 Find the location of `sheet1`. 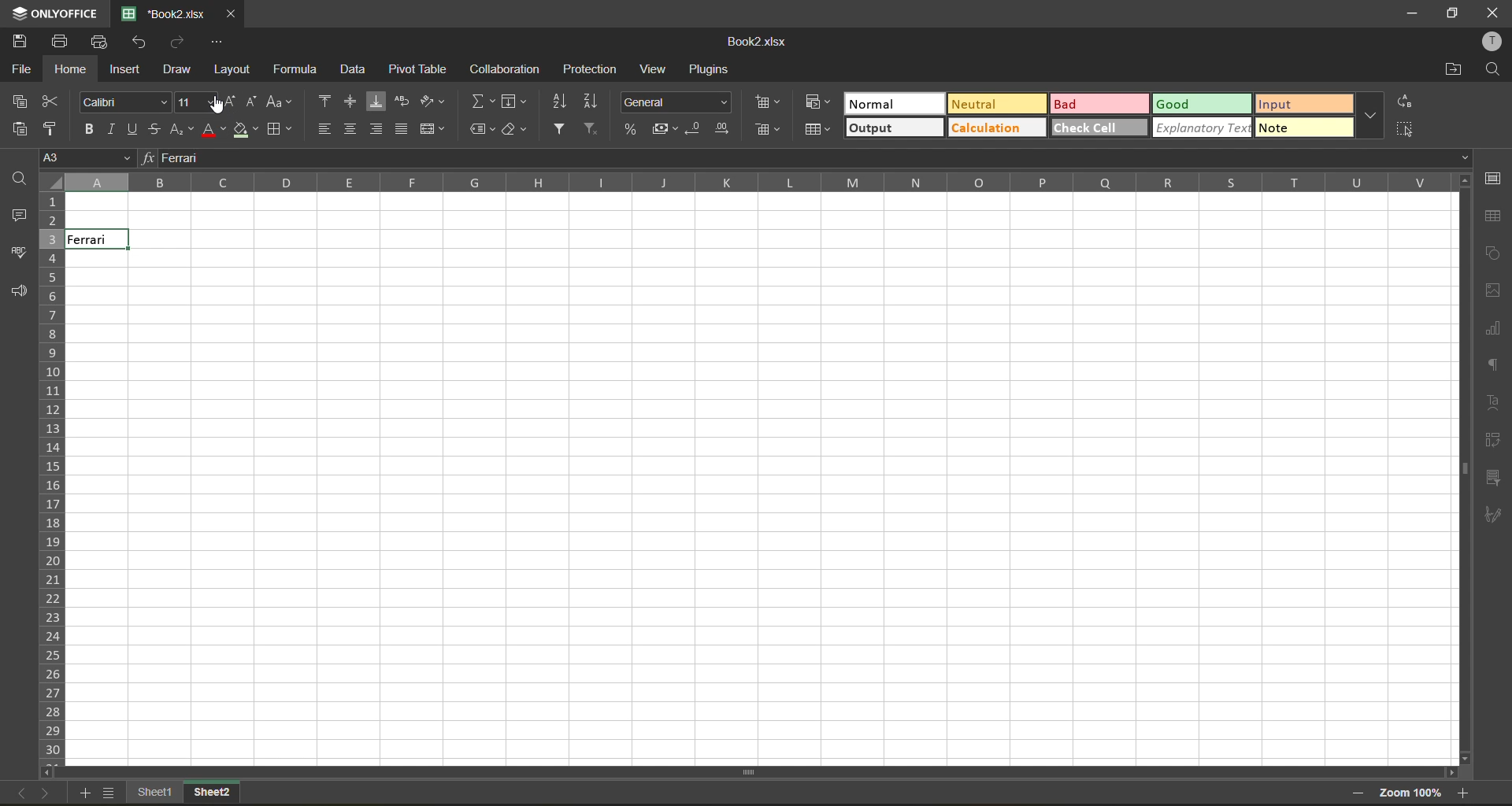

sheet1 is located at coordinates (153, 795).